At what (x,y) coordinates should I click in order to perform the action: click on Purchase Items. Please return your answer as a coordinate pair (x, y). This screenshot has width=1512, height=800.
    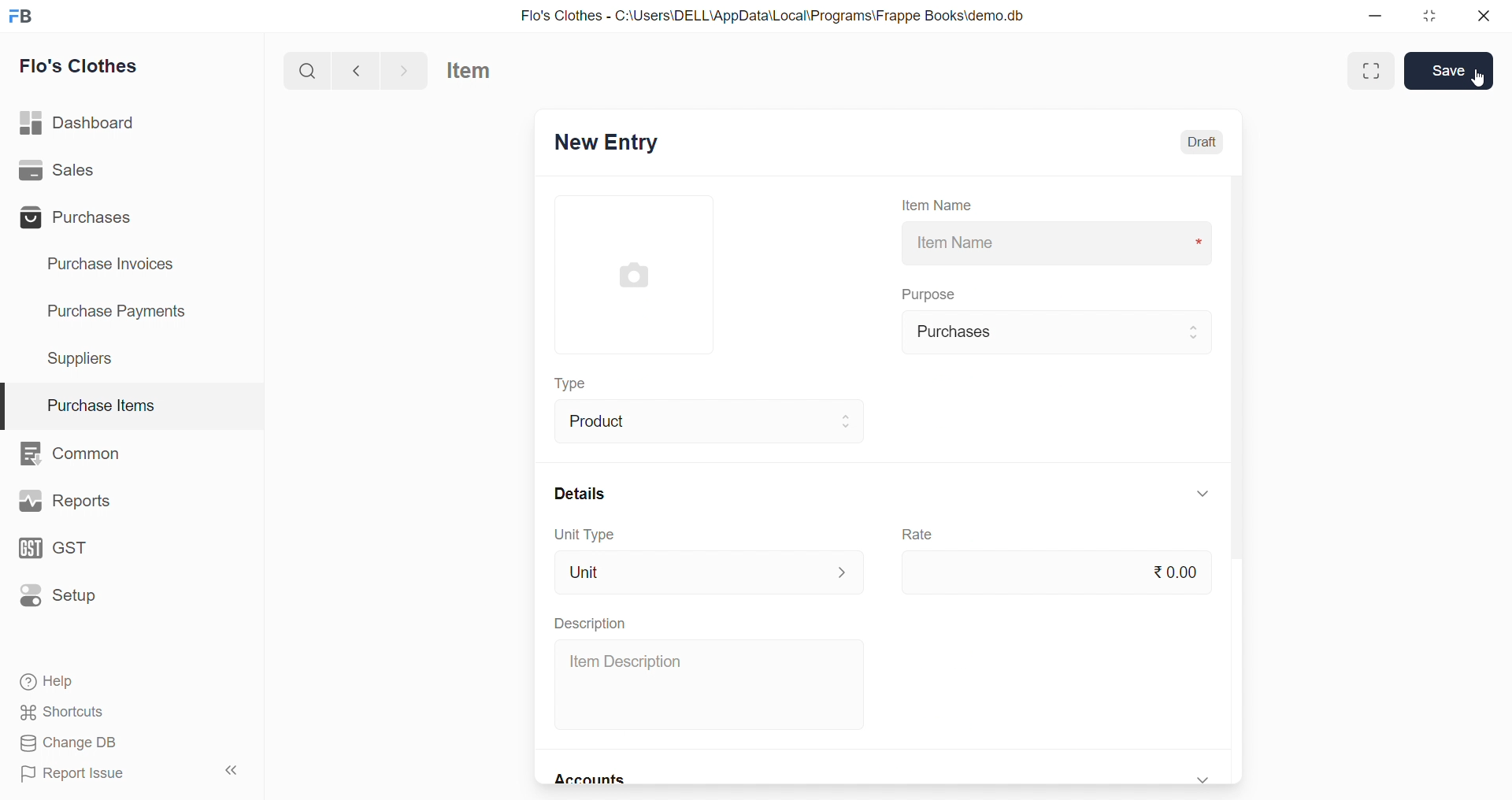
    Looking at the image, I should click on (132, 401).